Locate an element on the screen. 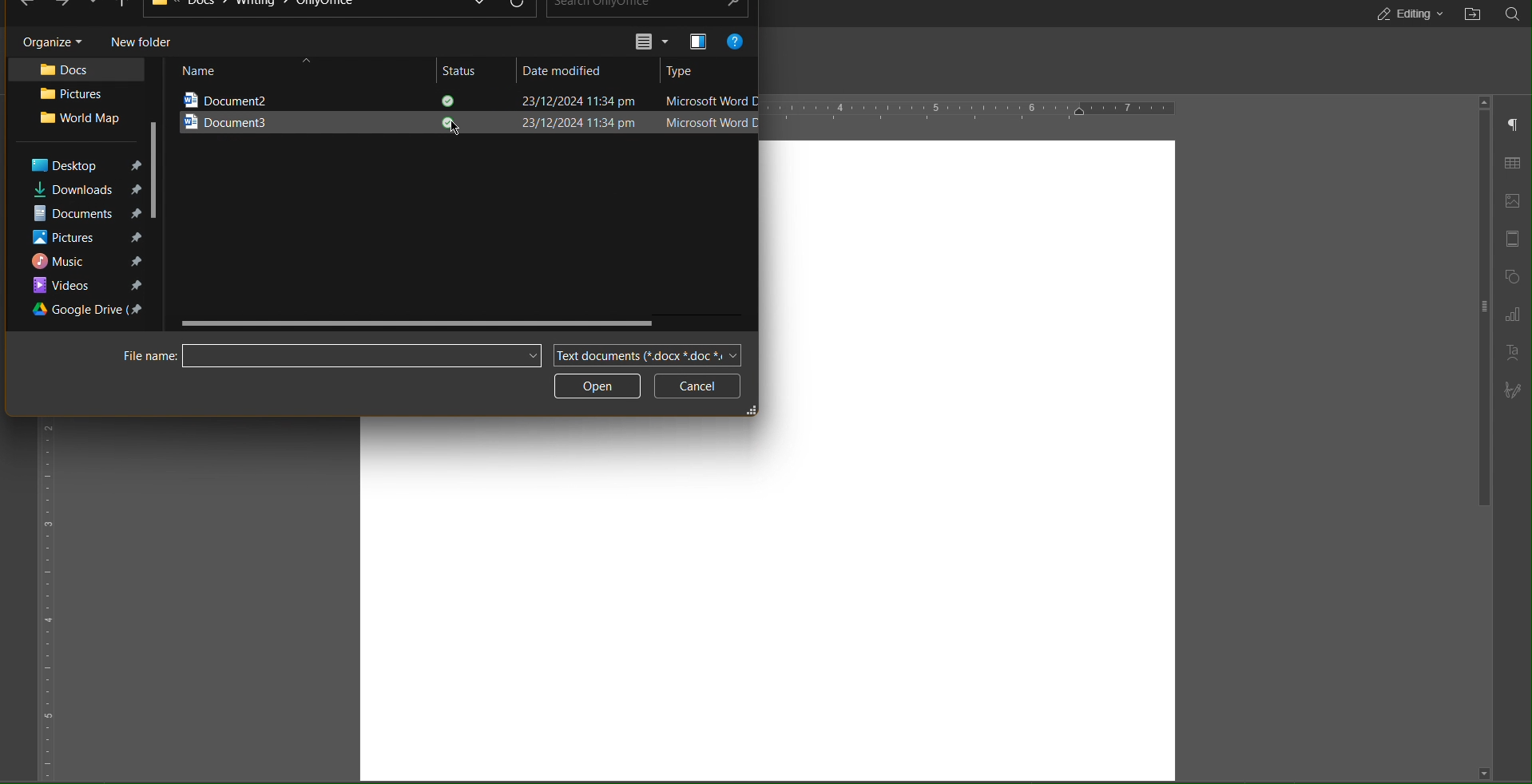  Documents is located at coordinates (77, 214).